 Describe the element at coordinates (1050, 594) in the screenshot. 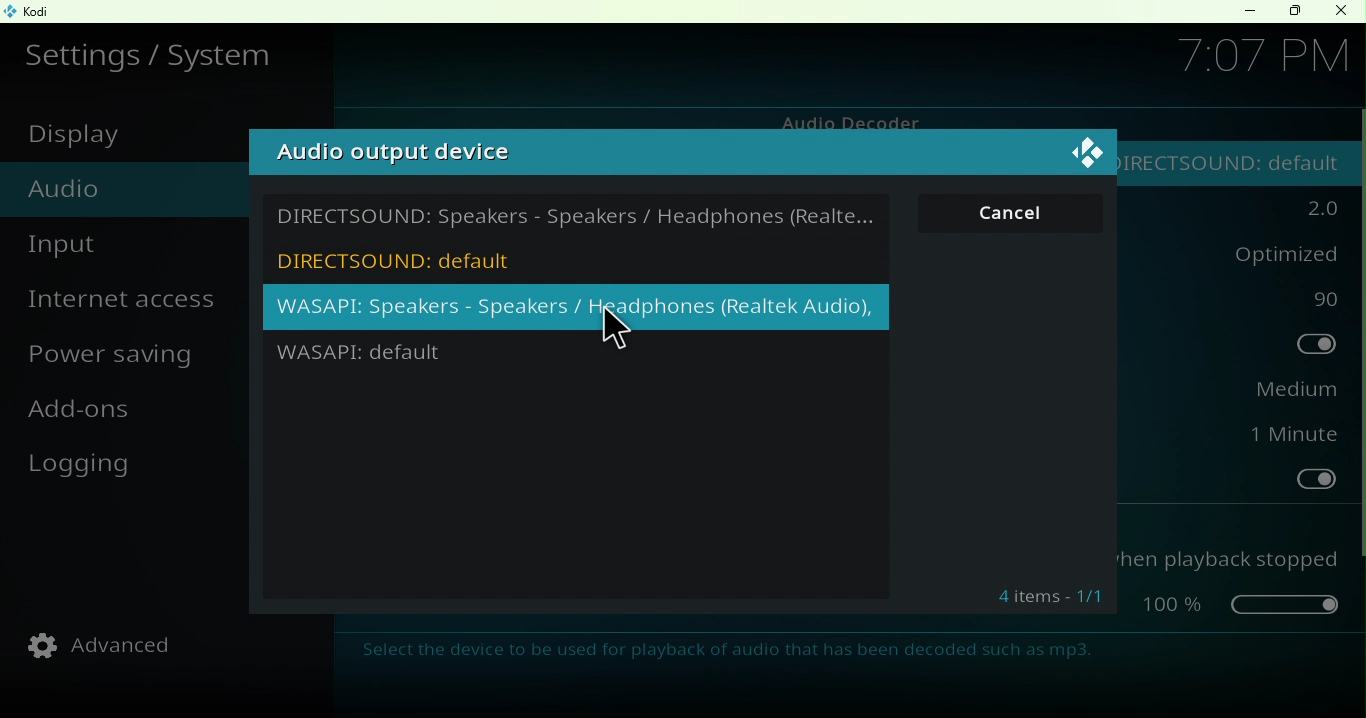

I see `` at that location.